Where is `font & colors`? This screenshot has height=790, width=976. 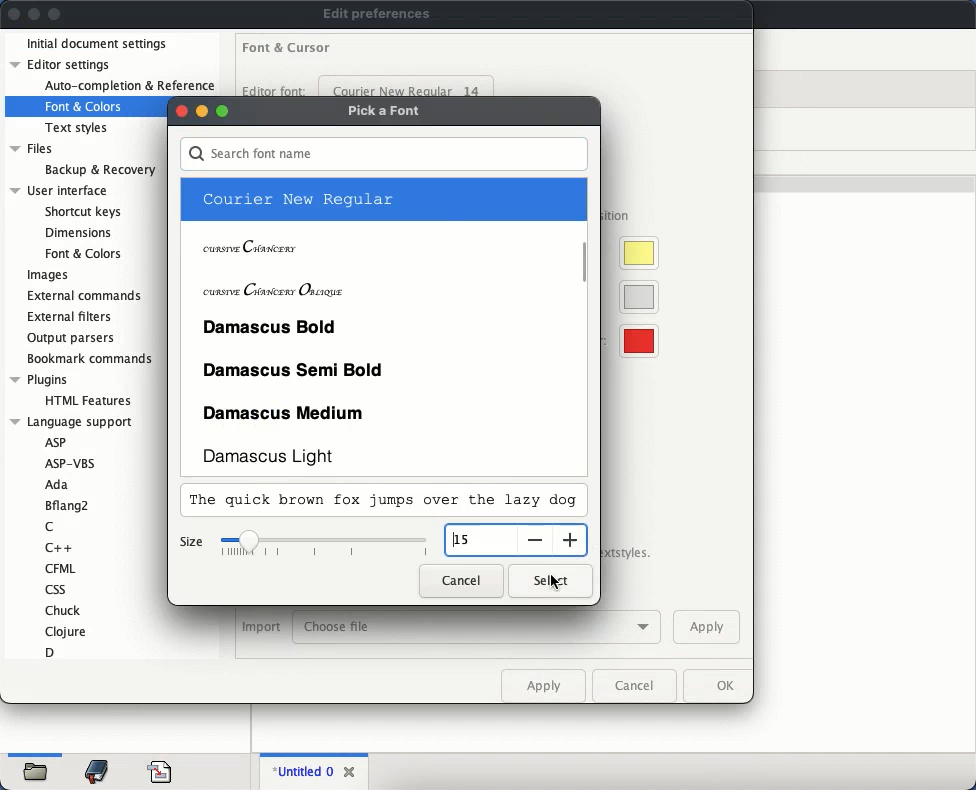 font & colors is located at coordinates (82, 253).